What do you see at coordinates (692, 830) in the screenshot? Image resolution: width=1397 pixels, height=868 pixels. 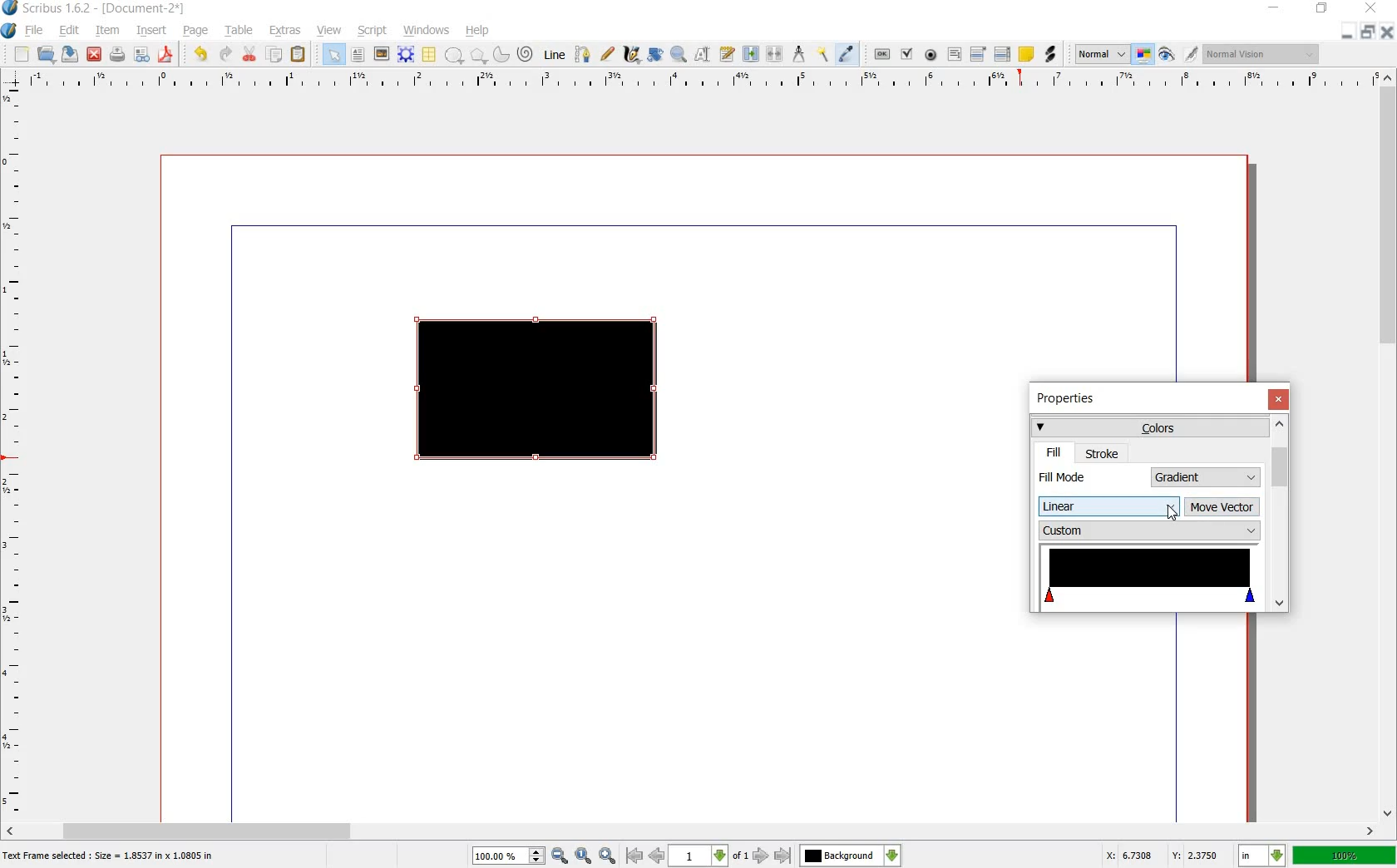 I see `scroll bar` at bounding box center [692, 830].